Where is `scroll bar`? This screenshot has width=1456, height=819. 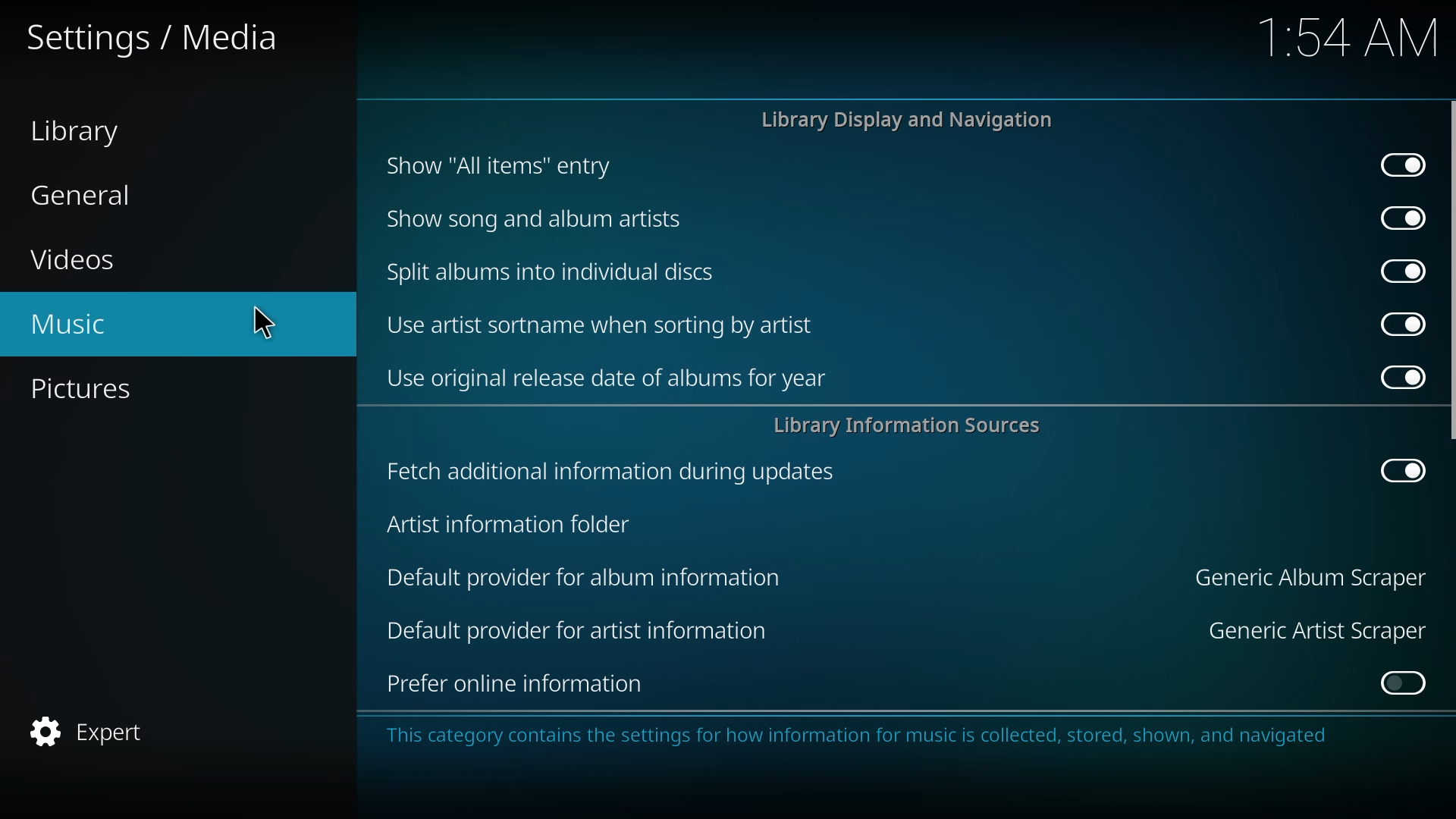 scroll bar is located at coordinates (1454, 270).